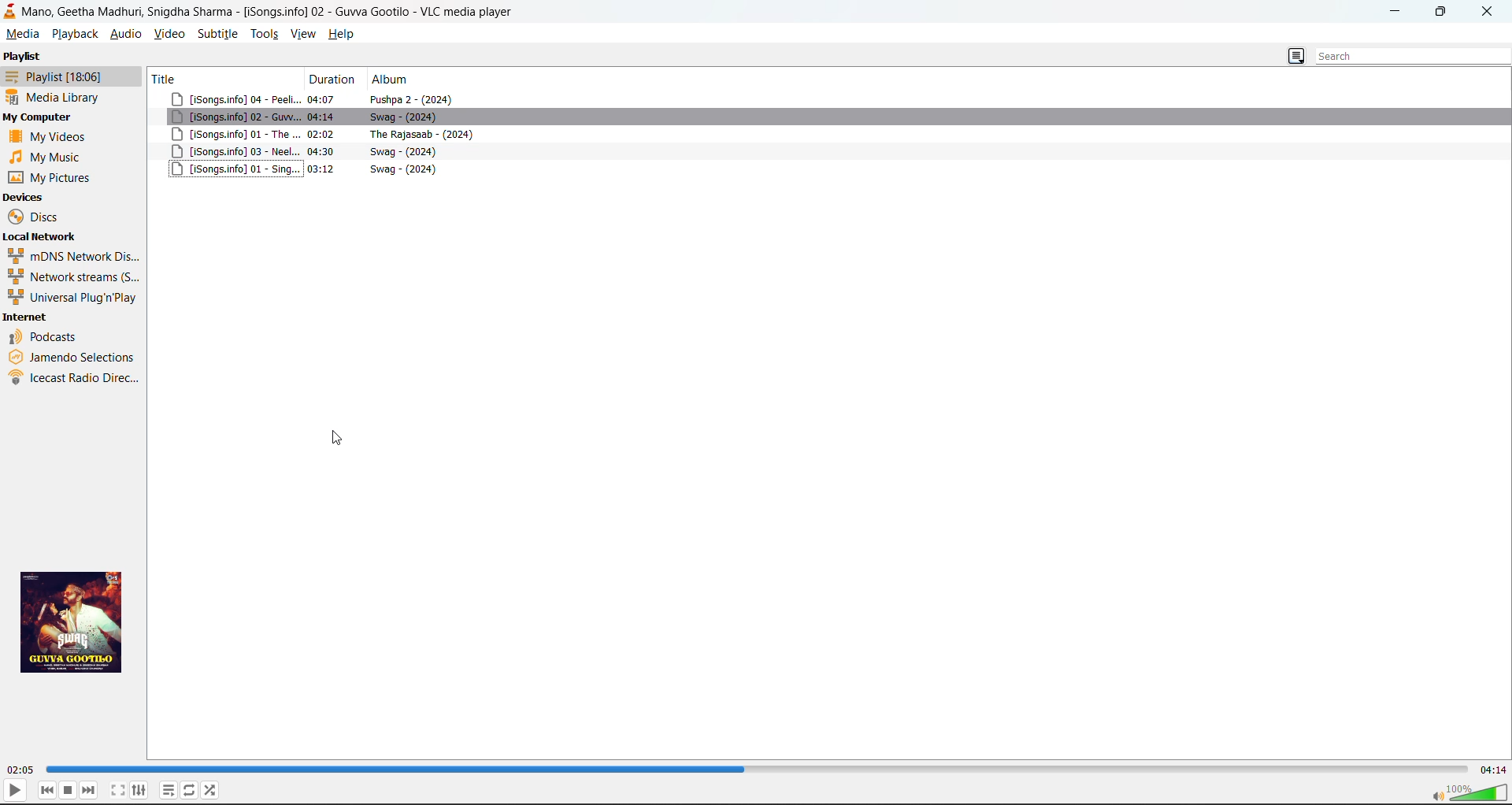  Describe the element at coordinates (76, 621) in the screenshot. I see `thumbnail` at that location.